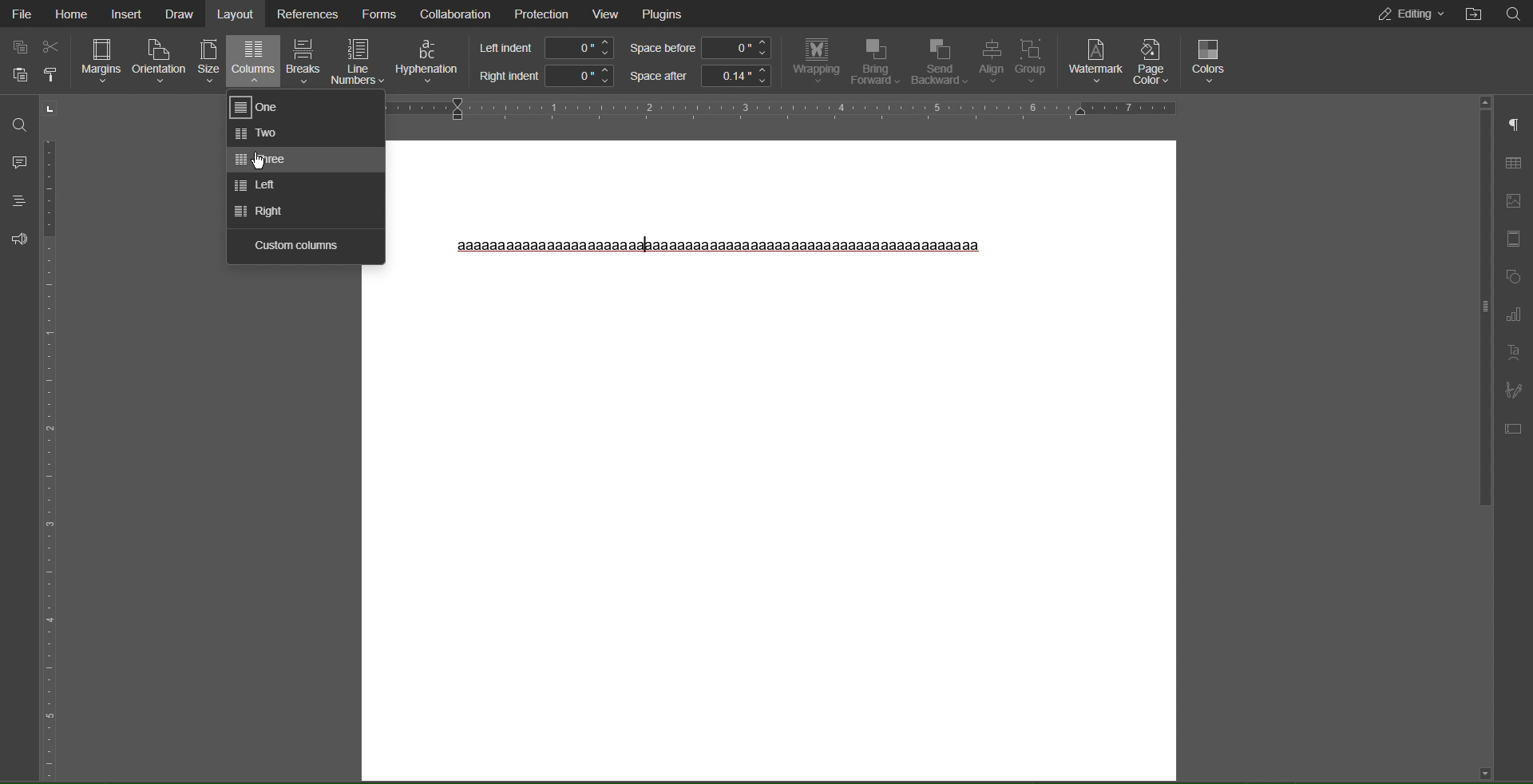 This screenshot has width=1533, height=784. I want to click on Feedback and Support, so click(16, 238).